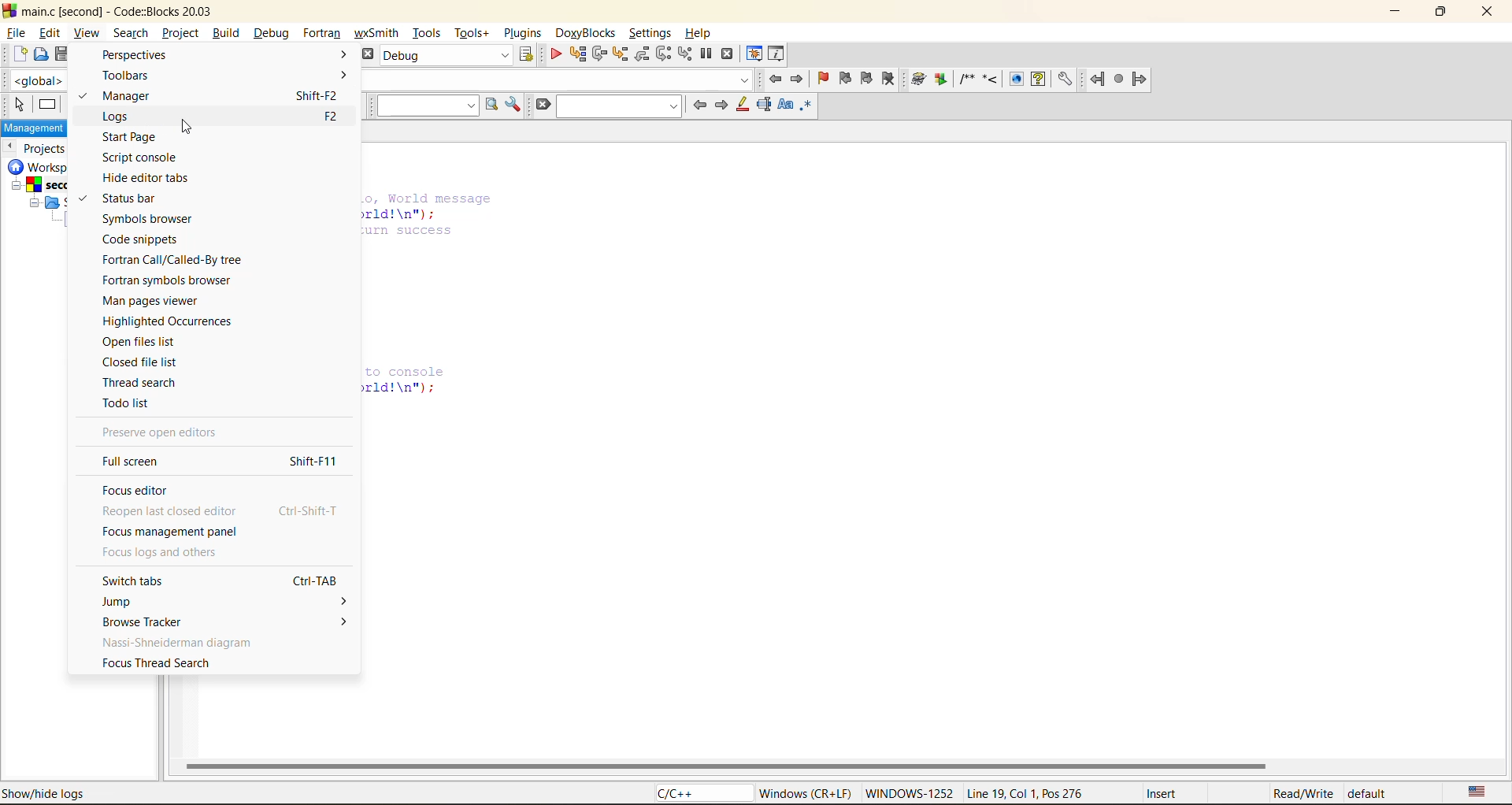  Describe the element at coordinates (991, 80) in the screenshot. I see `doxyblocks` at that location.